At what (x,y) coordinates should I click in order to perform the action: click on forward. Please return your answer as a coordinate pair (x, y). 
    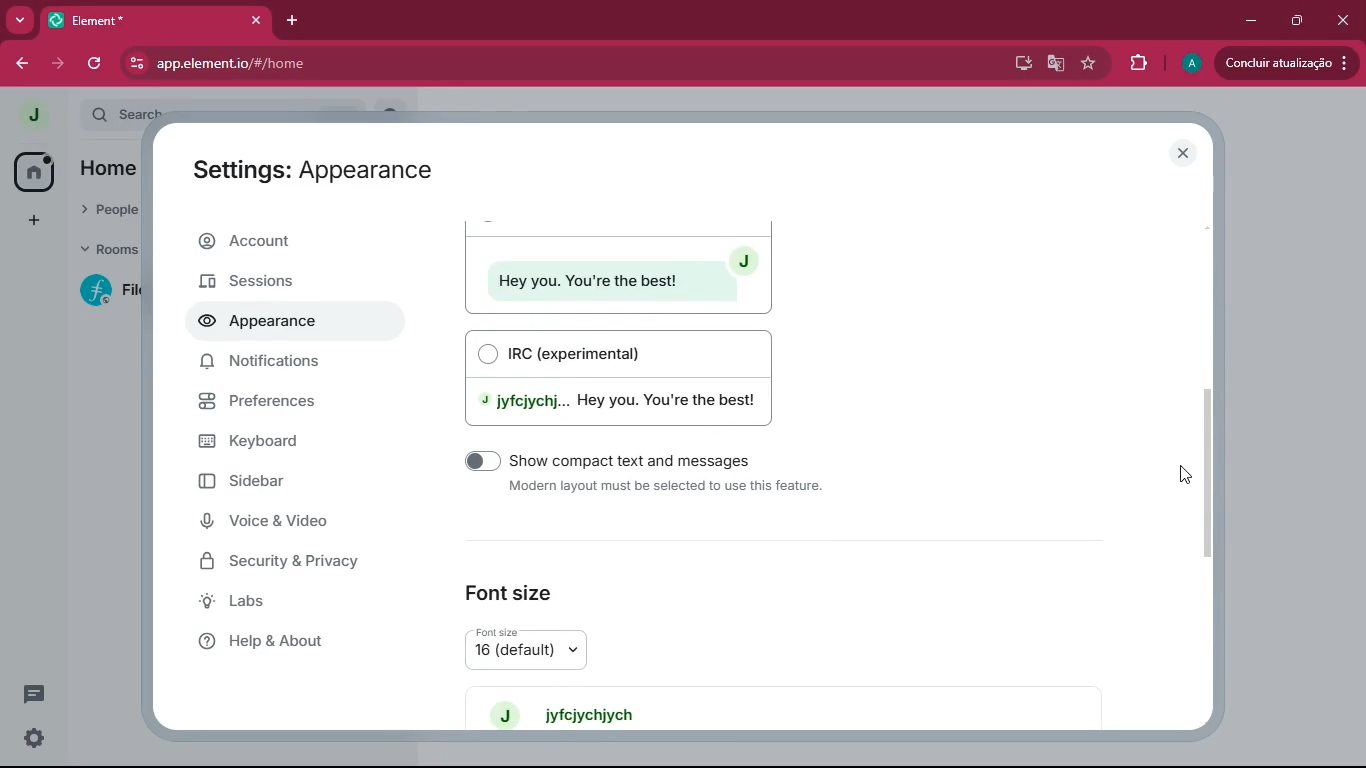
    Looking at the image, I should click on (58, 65).